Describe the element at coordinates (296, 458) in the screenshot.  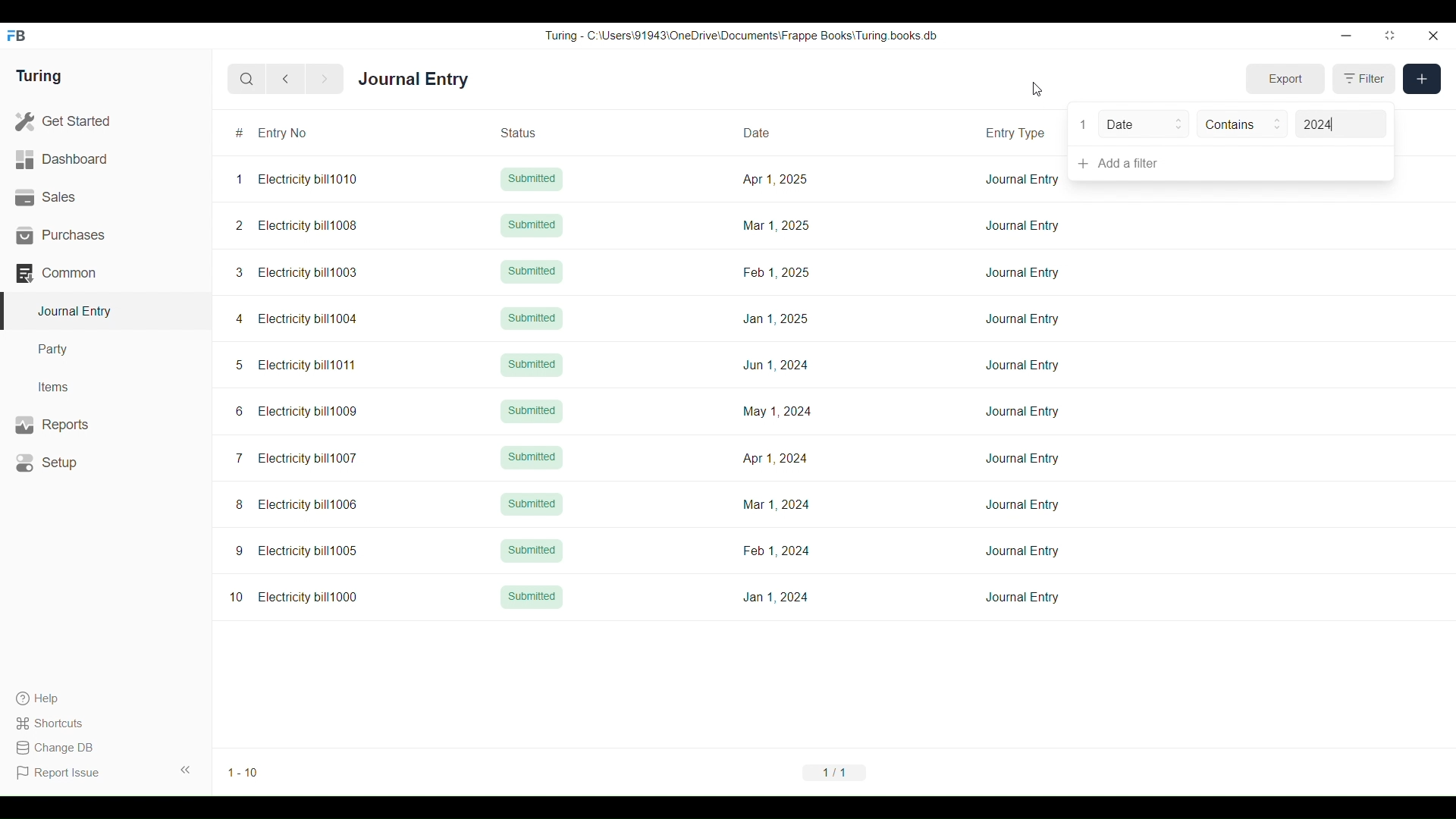
I see `7 Electricity bill1007` at that location.